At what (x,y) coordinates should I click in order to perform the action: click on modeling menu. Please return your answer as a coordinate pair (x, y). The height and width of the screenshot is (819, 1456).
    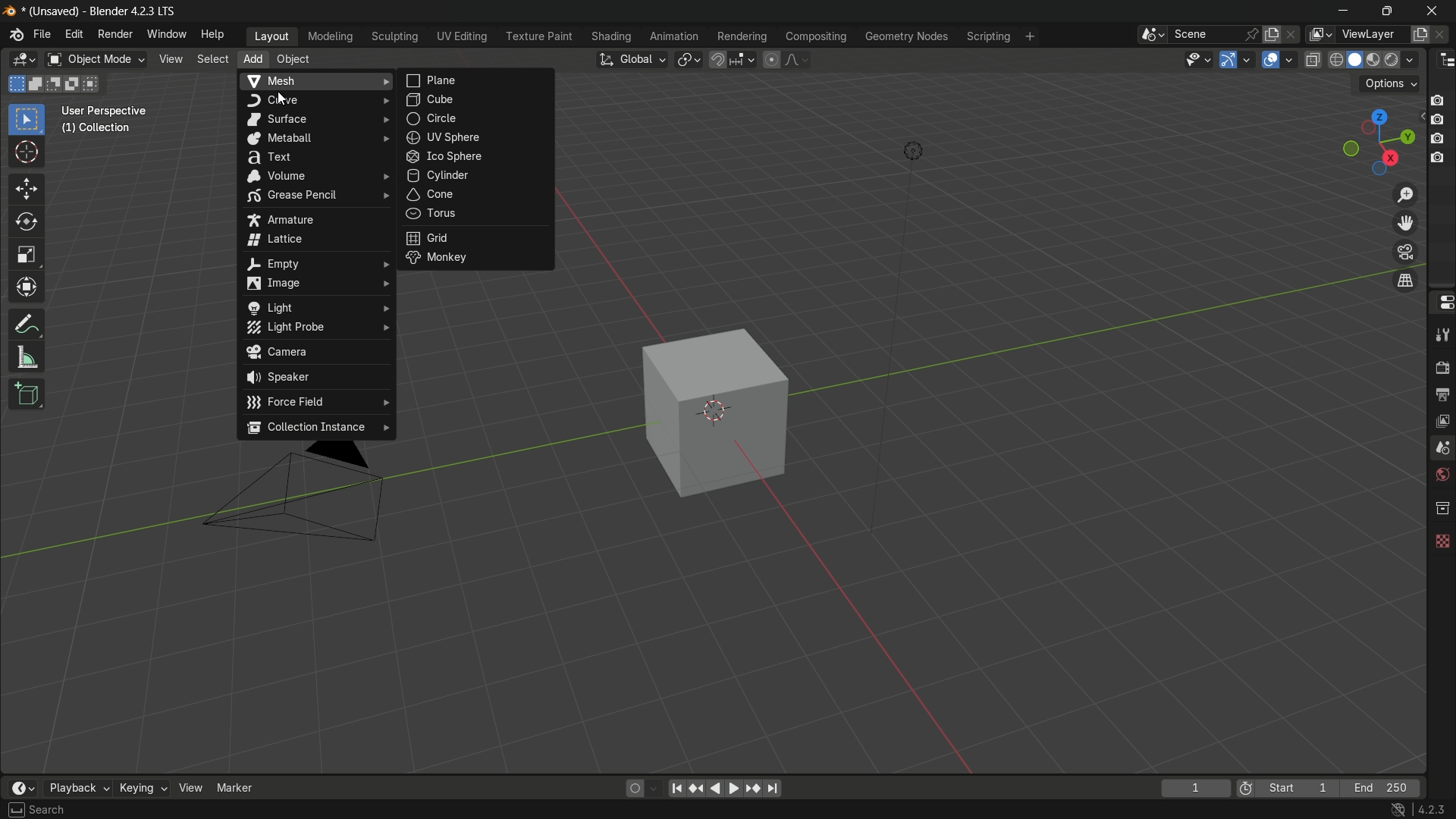
    Looking at the image, I should click on (330, 37).